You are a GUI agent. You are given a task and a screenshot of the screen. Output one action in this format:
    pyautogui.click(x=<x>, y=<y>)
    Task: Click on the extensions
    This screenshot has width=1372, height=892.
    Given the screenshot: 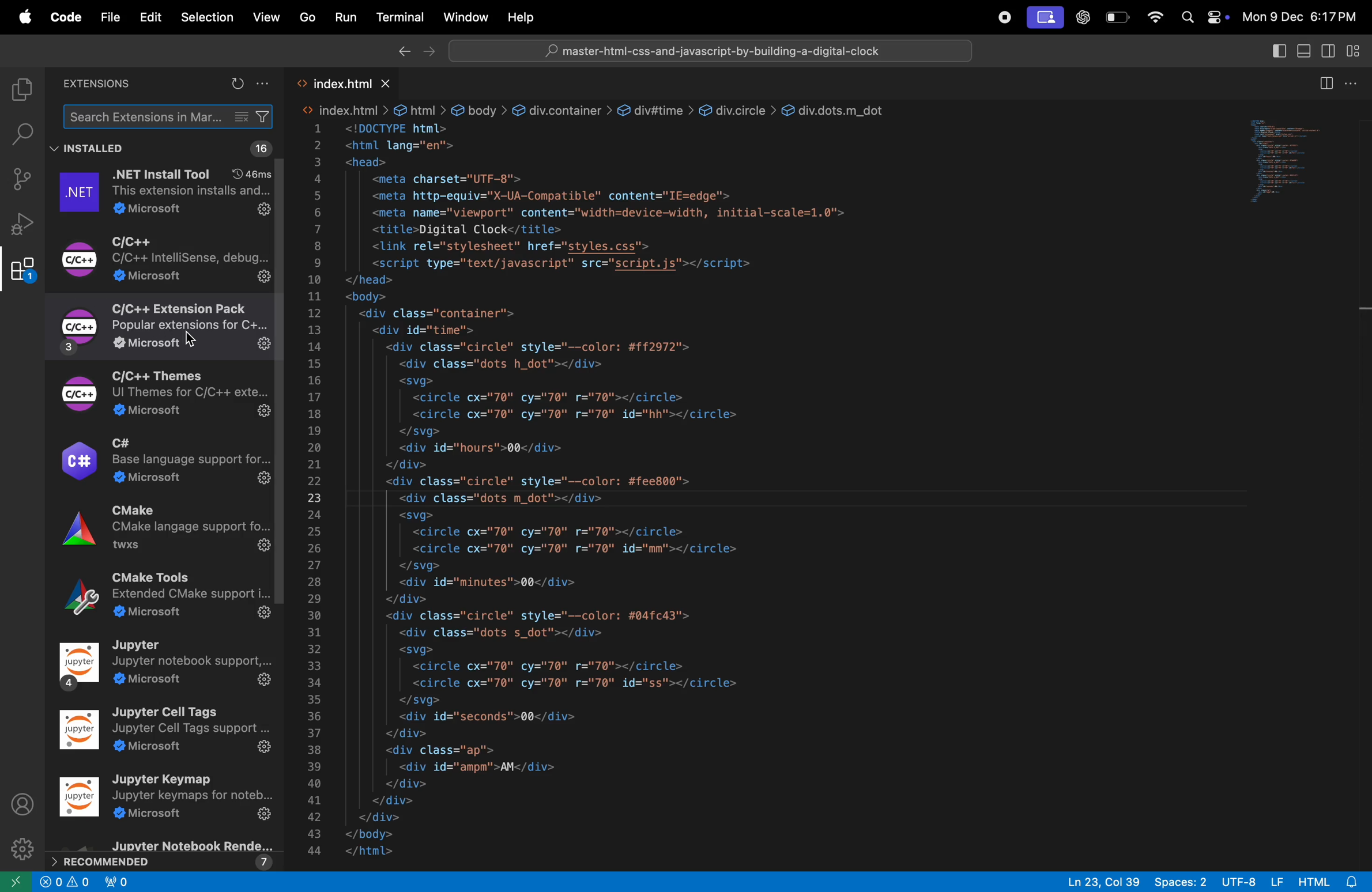 What is the action you would take?
    pyautogui.click(x=97, y=85)
    